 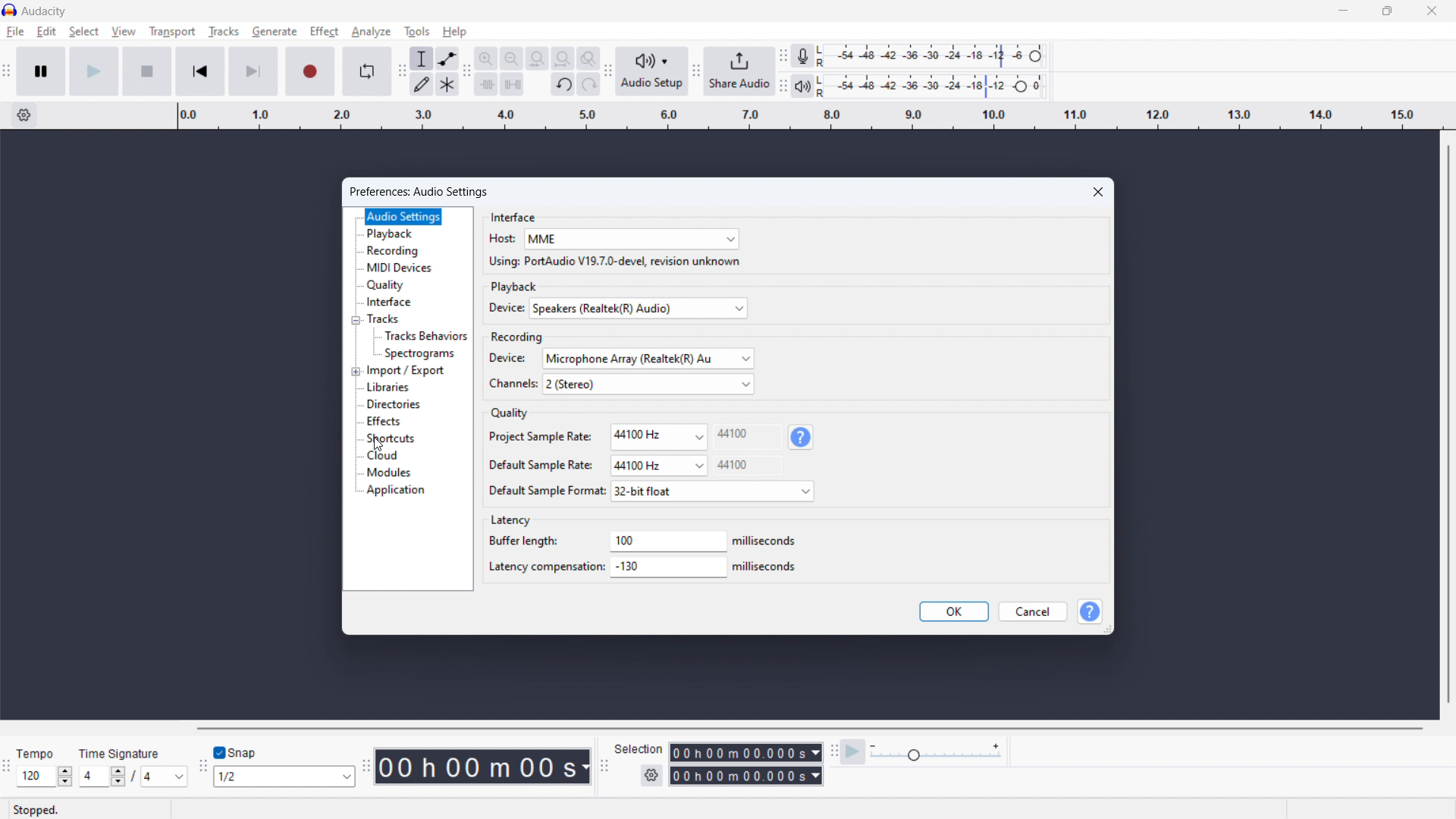 What do you see at coordinates (547, 554) in the screenshot?
I see `Latency settings` at bounding box center [547, 554].